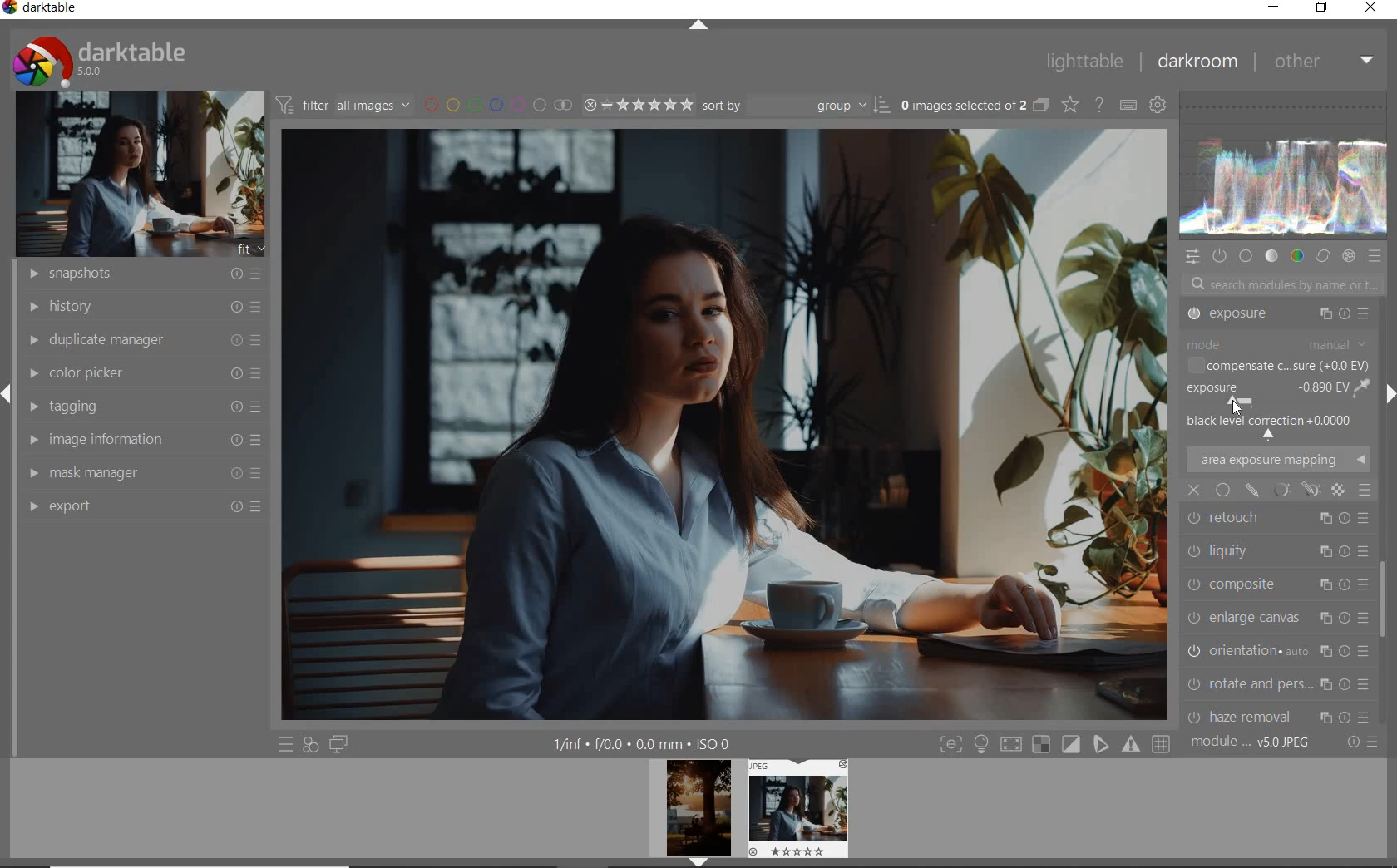 This screenshot has width=1397, height=868. I want to click on ENABLE FOR ONLINE HELP, so click(1099, 105).